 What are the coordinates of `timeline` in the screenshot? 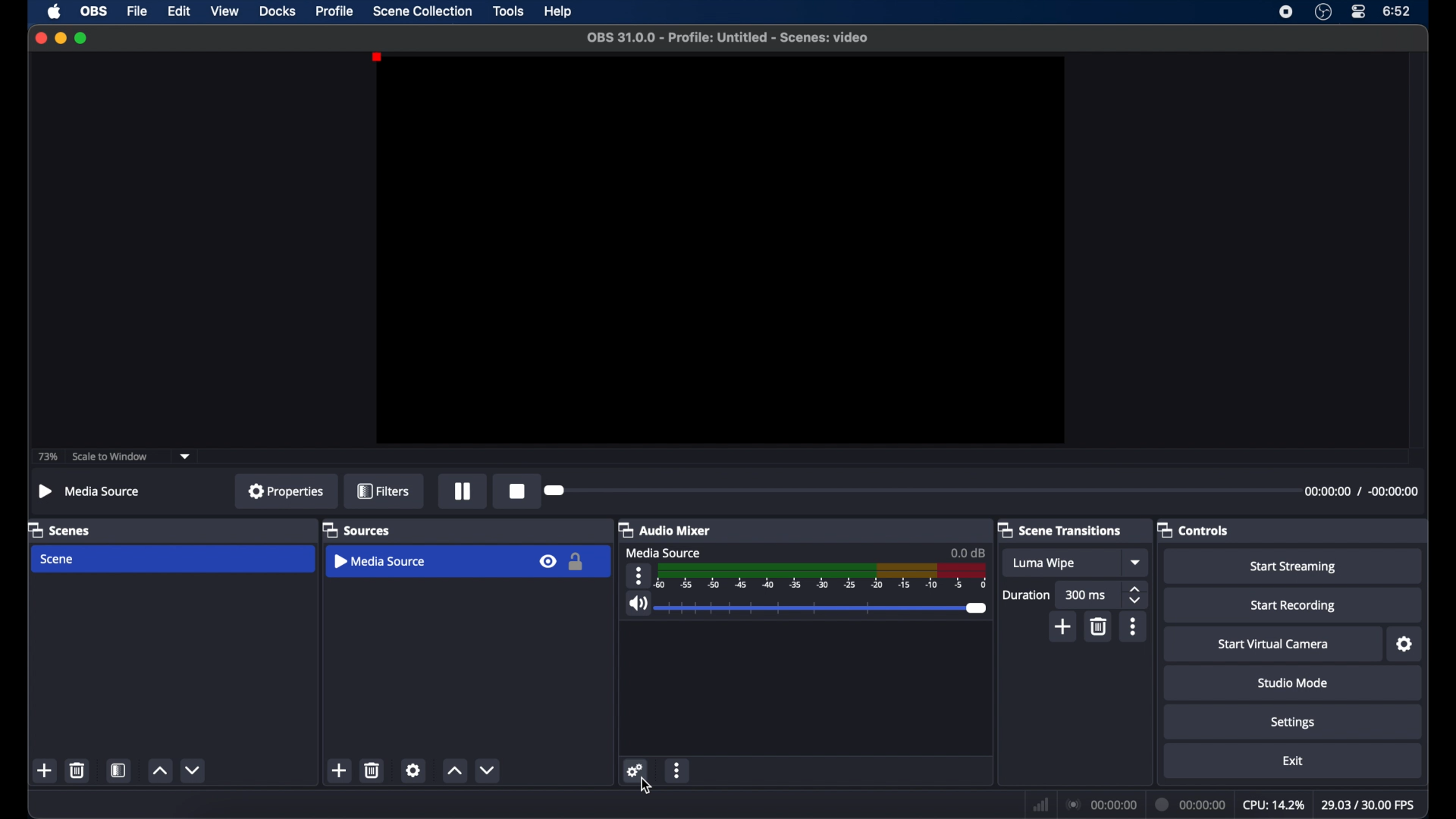 It's located at (824, 578).